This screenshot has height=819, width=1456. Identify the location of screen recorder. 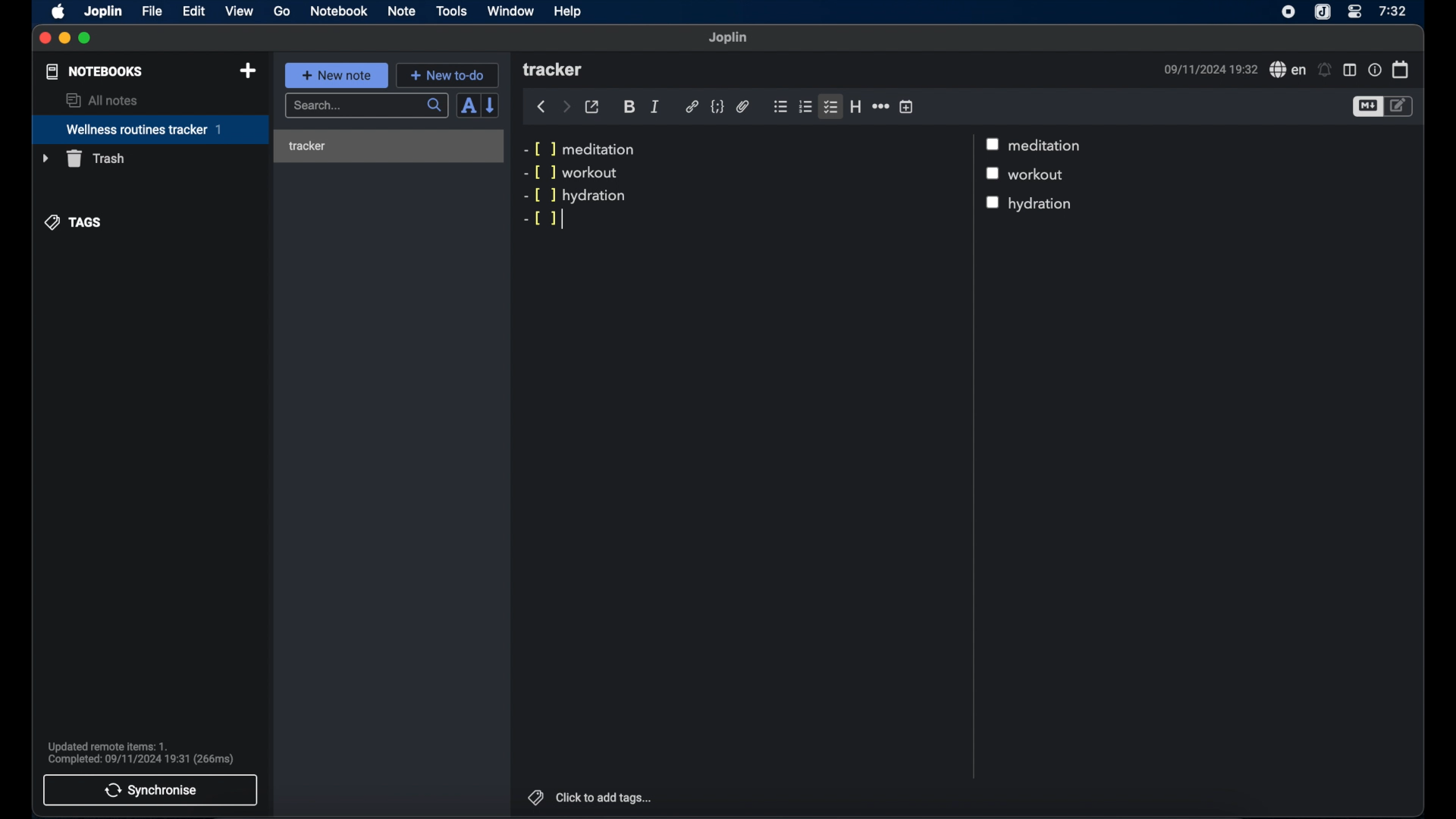
(1288, 11).